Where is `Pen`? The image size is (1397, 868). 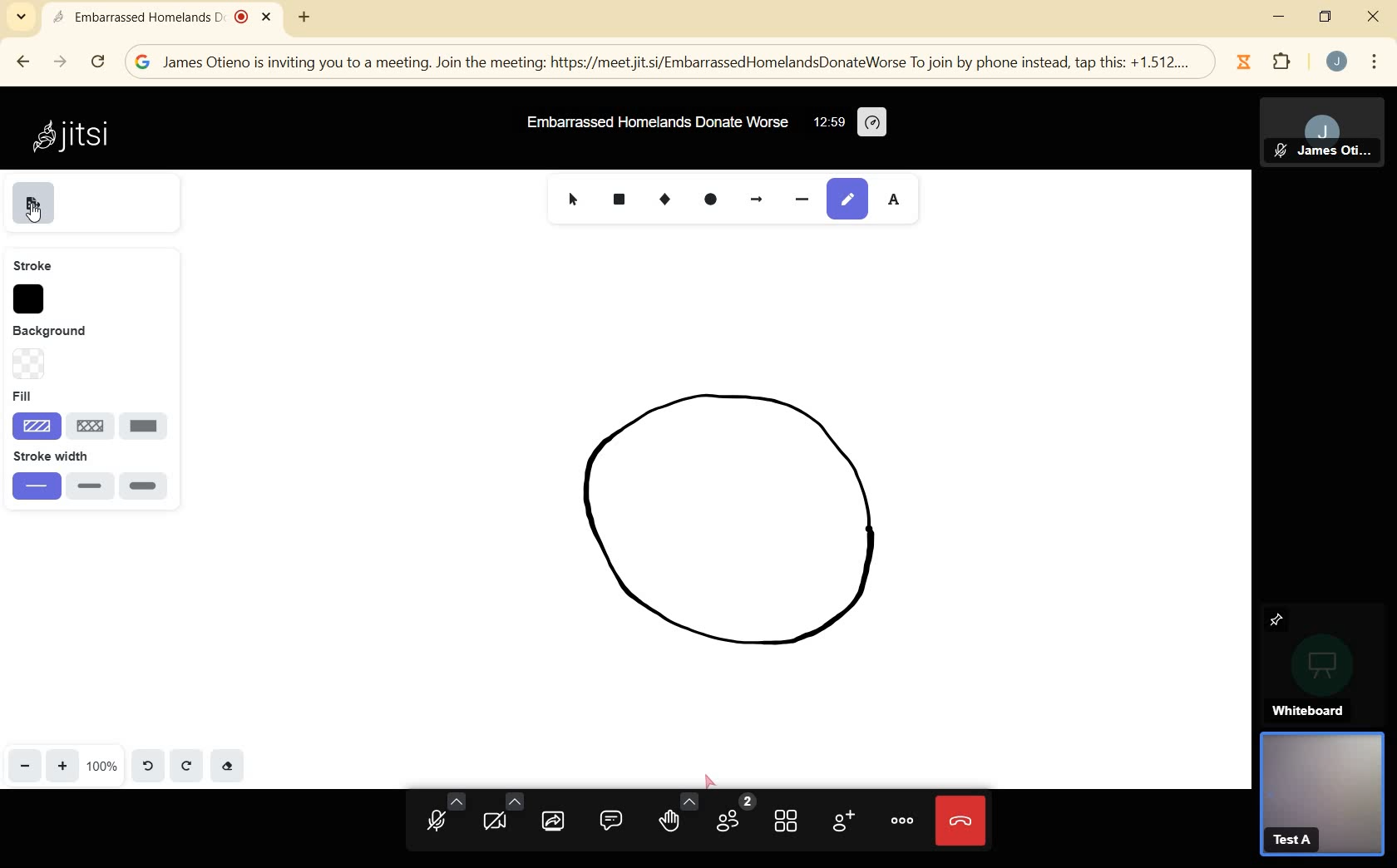
Pen is located at coordinates (850, 196).